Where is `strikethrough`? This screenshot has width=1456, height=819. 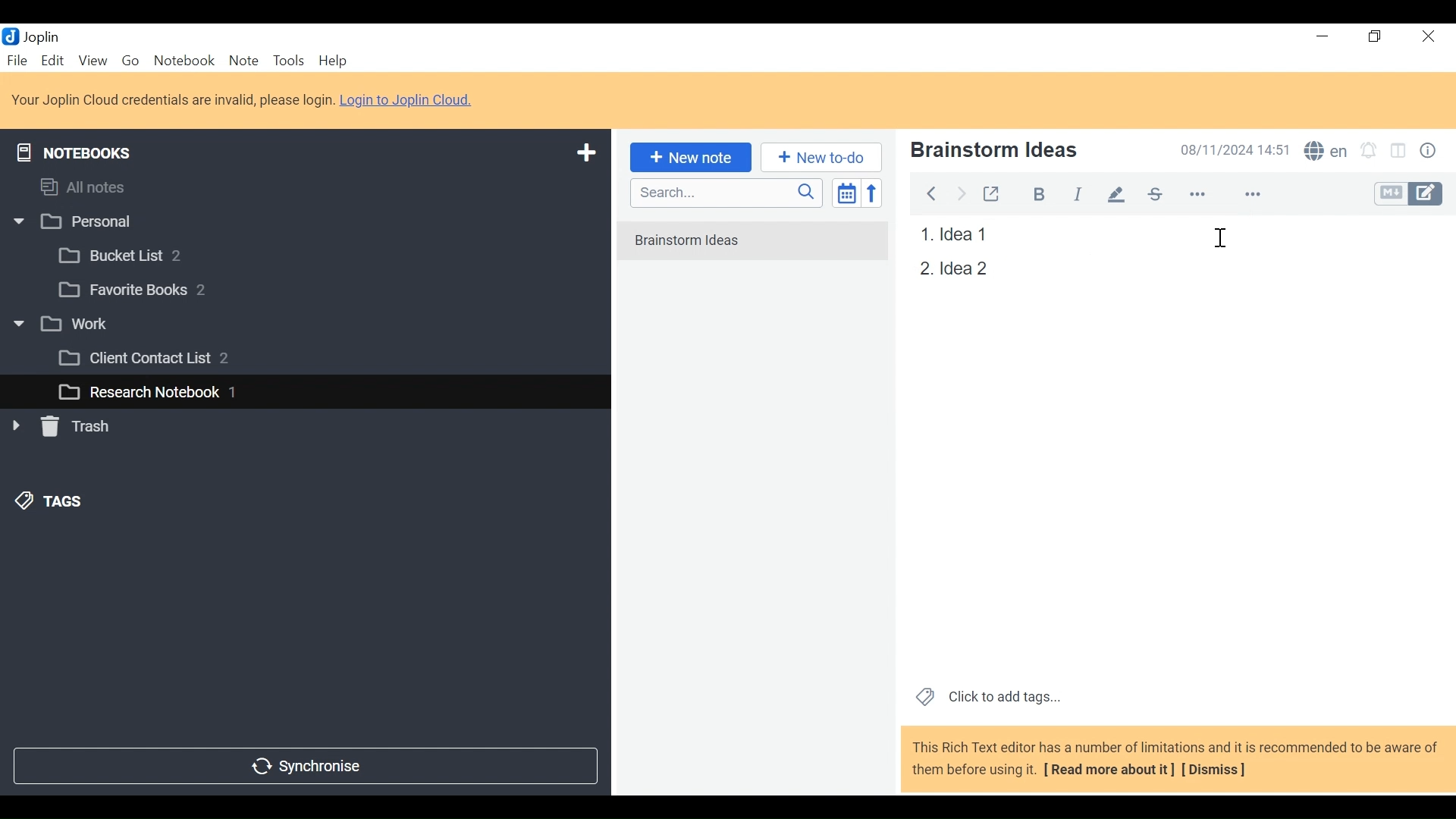
strikethrough is located at coordinates (1154, 193).